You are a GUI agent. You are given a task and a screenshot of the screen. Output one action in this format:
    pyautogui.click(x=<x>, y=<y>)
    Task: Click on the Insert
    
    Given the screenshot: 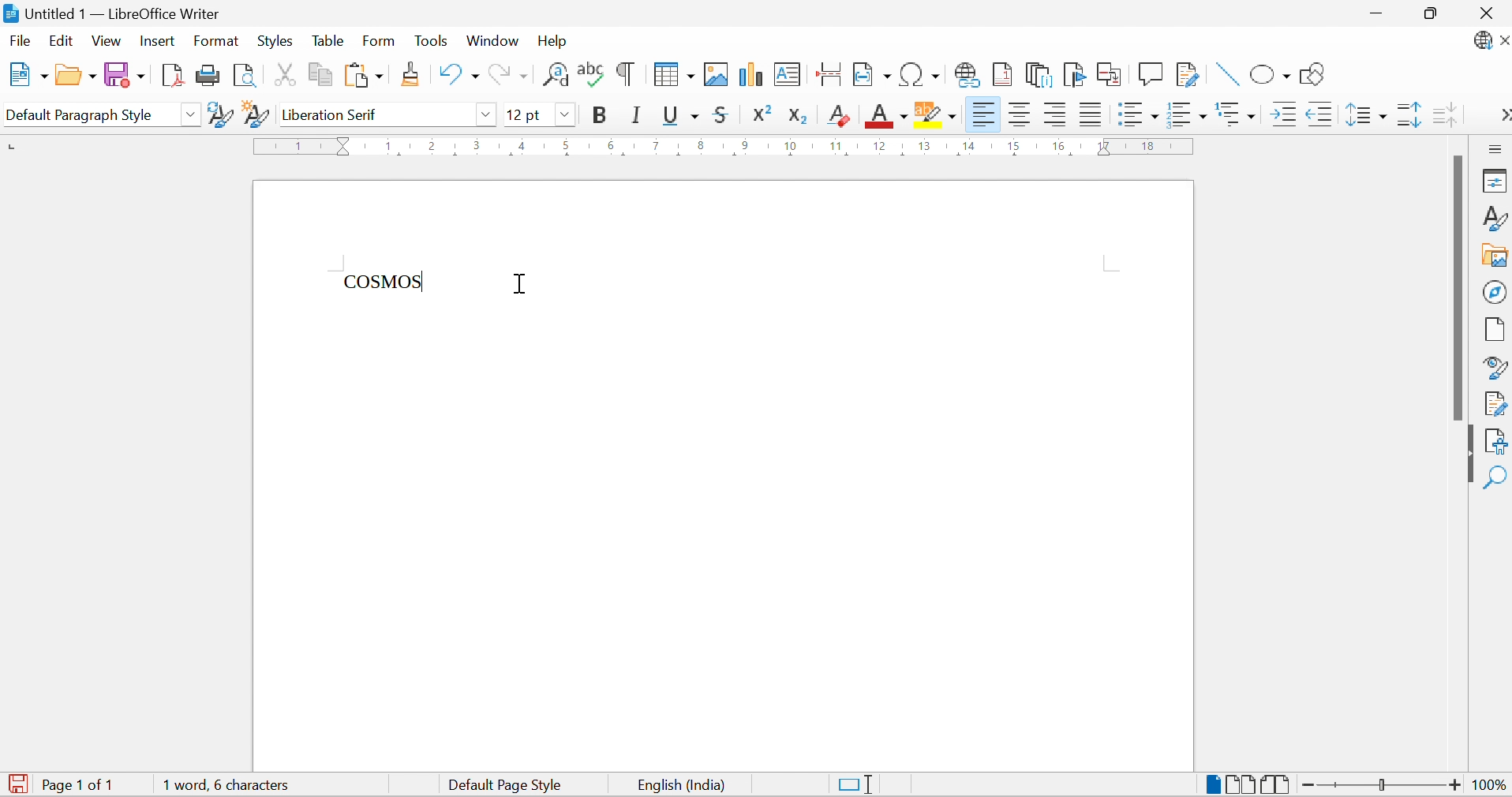 What is the action you would take?
    pyautogui.click(x=159, y=42)
    